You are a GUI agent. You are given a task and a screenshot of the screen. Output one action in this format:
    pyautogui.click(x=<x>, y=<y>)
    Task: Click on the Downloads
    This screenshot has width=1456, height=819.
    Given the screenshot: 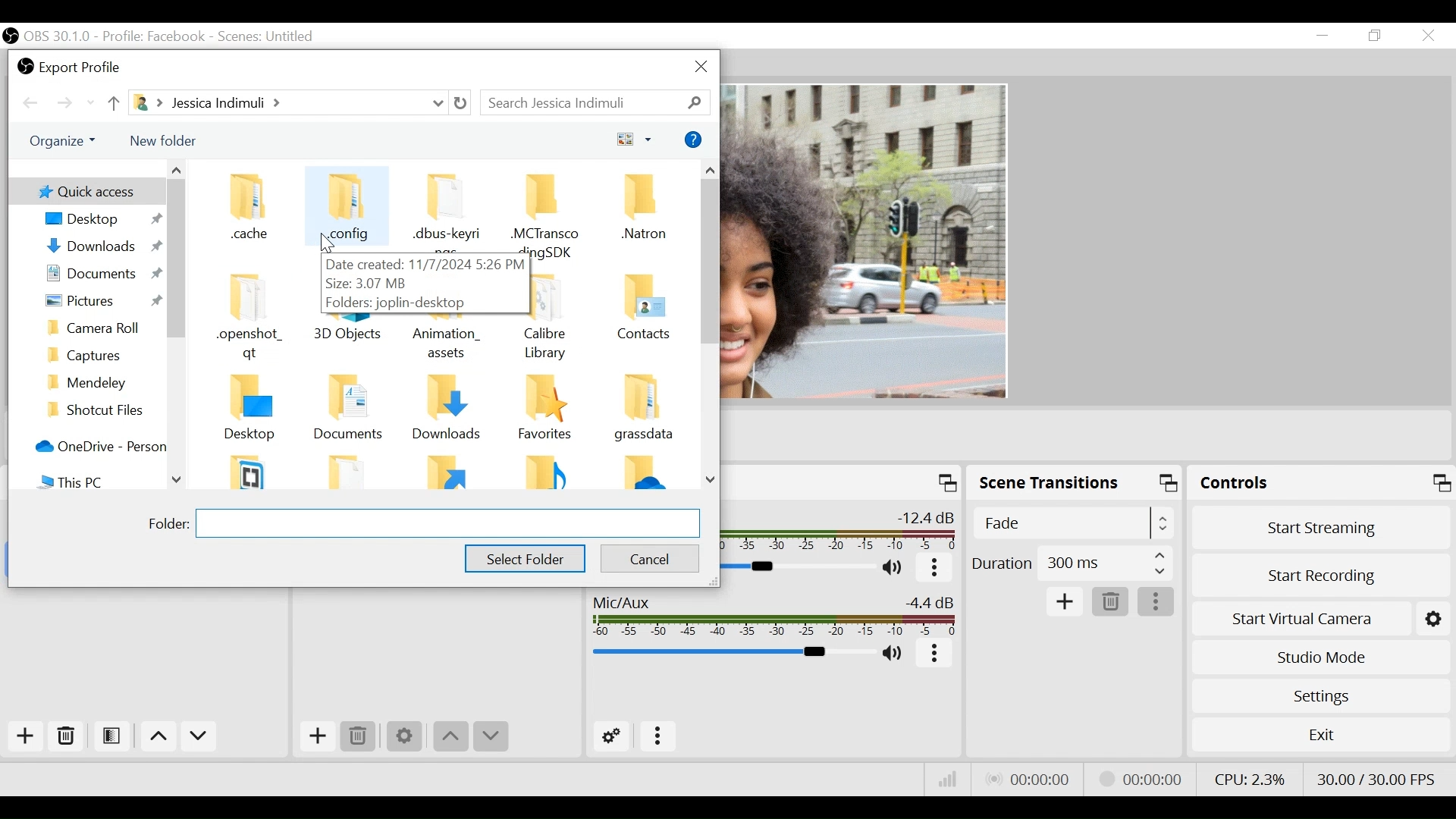 What is the action you would take?
    pyautogui.click(x=99, y=246)
    